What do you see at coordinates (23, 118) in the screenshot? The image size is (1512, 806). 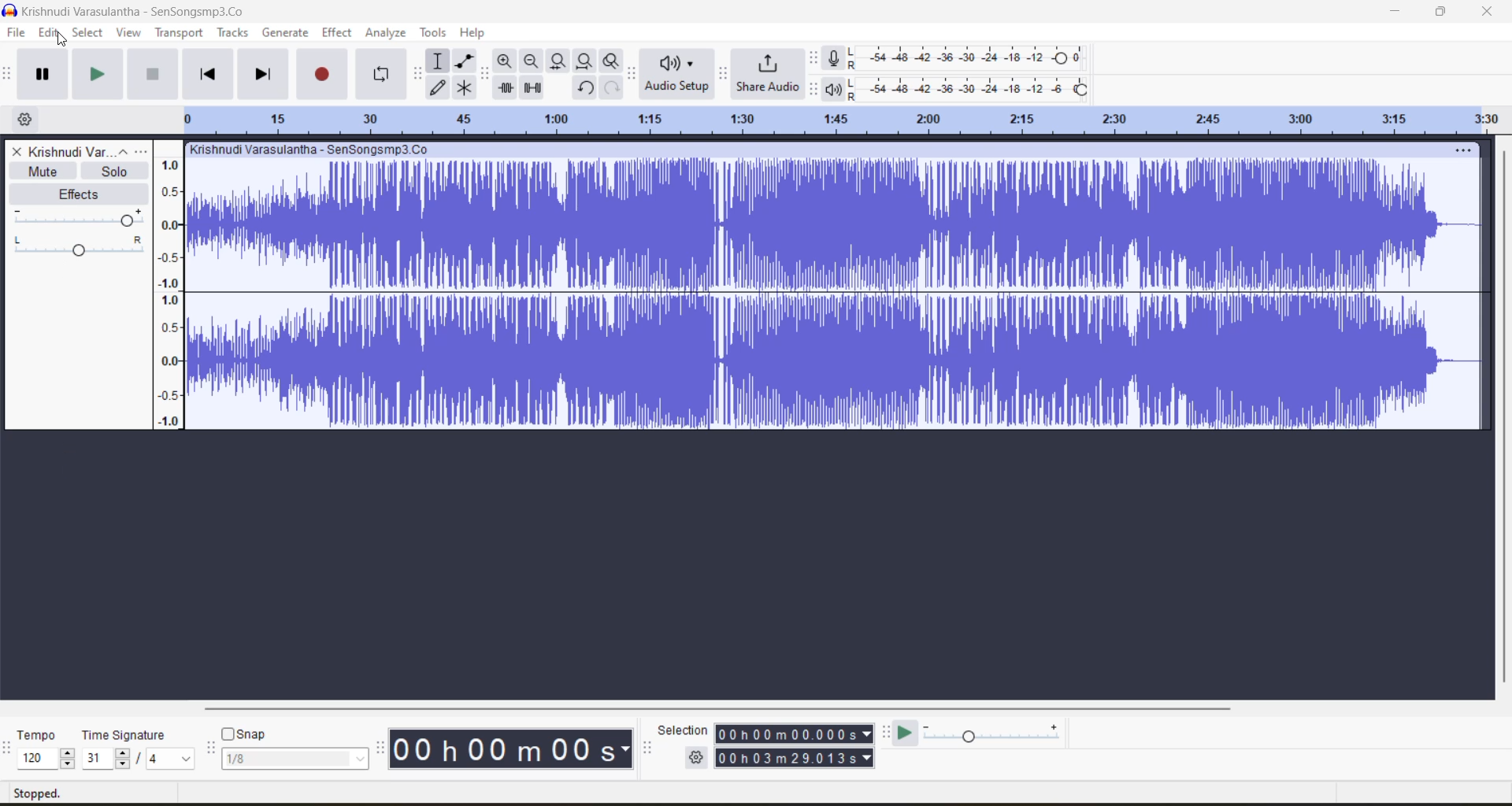 I see `timeline options` at bounding box center [23, 118].